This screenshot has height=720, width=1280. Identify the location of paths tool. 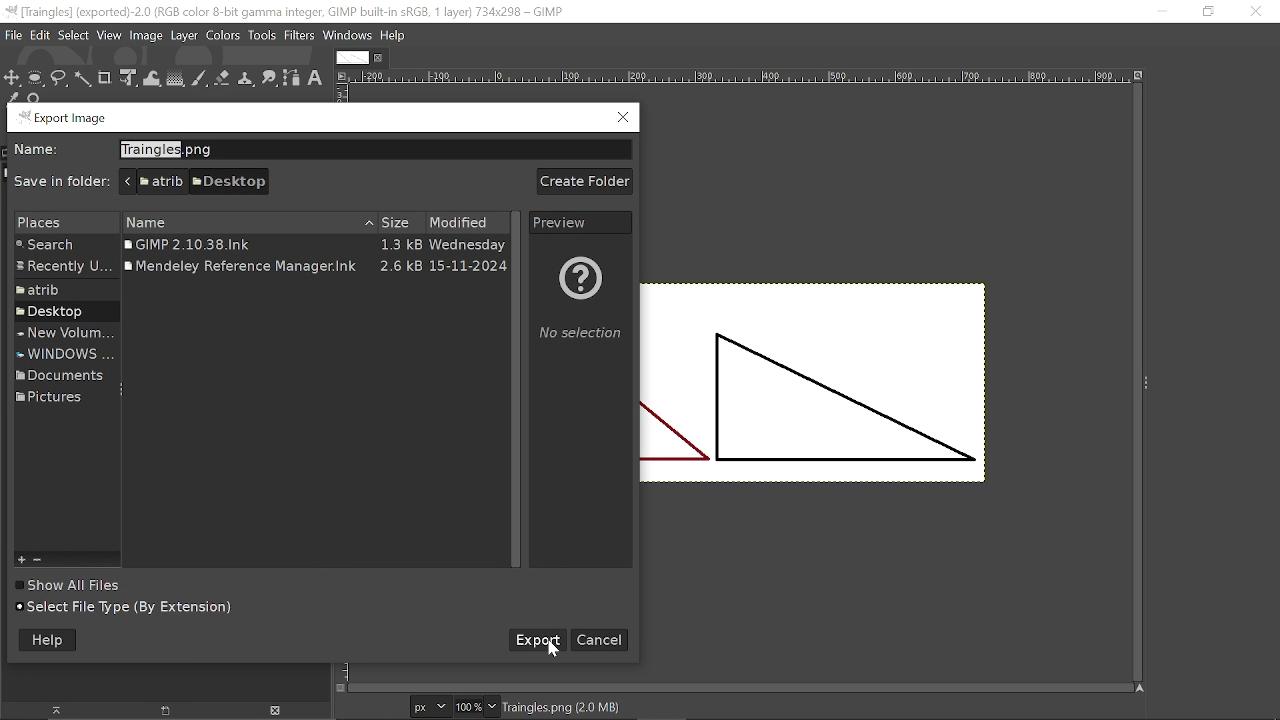
(292, 79).